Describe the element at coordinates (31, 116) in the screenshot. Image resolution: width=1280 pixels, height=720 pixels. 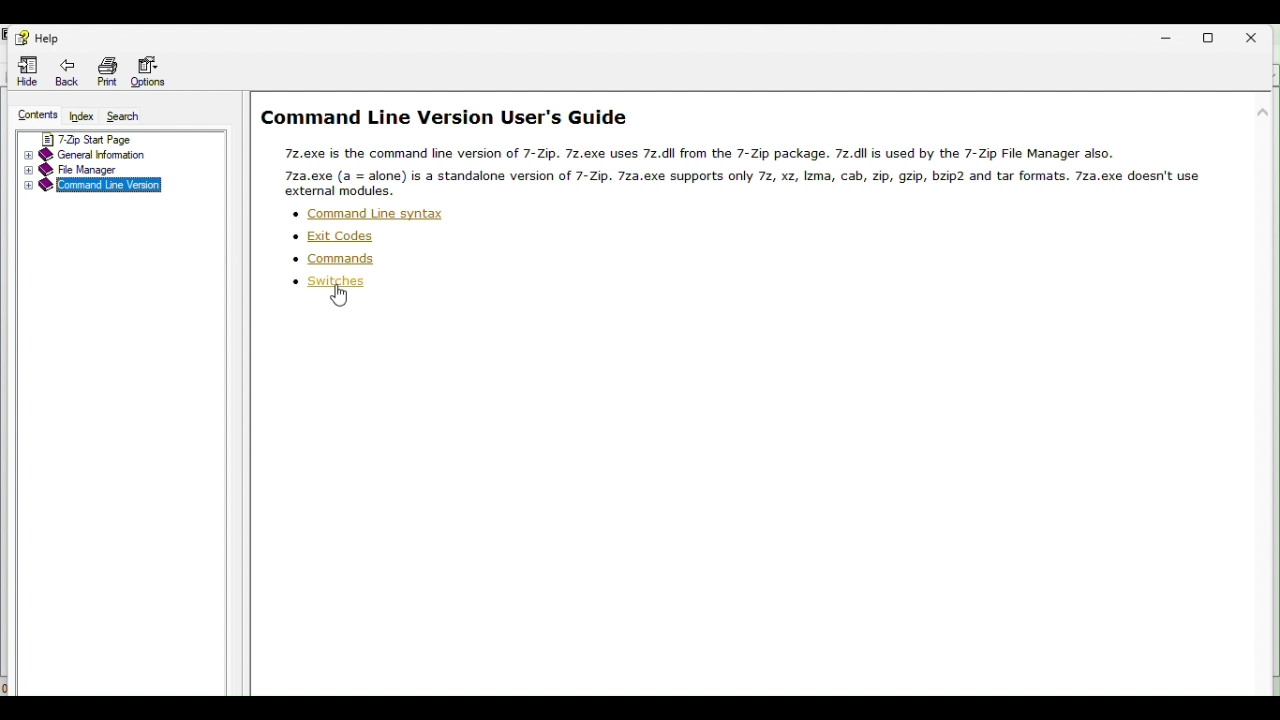
I see `Content` at that location.